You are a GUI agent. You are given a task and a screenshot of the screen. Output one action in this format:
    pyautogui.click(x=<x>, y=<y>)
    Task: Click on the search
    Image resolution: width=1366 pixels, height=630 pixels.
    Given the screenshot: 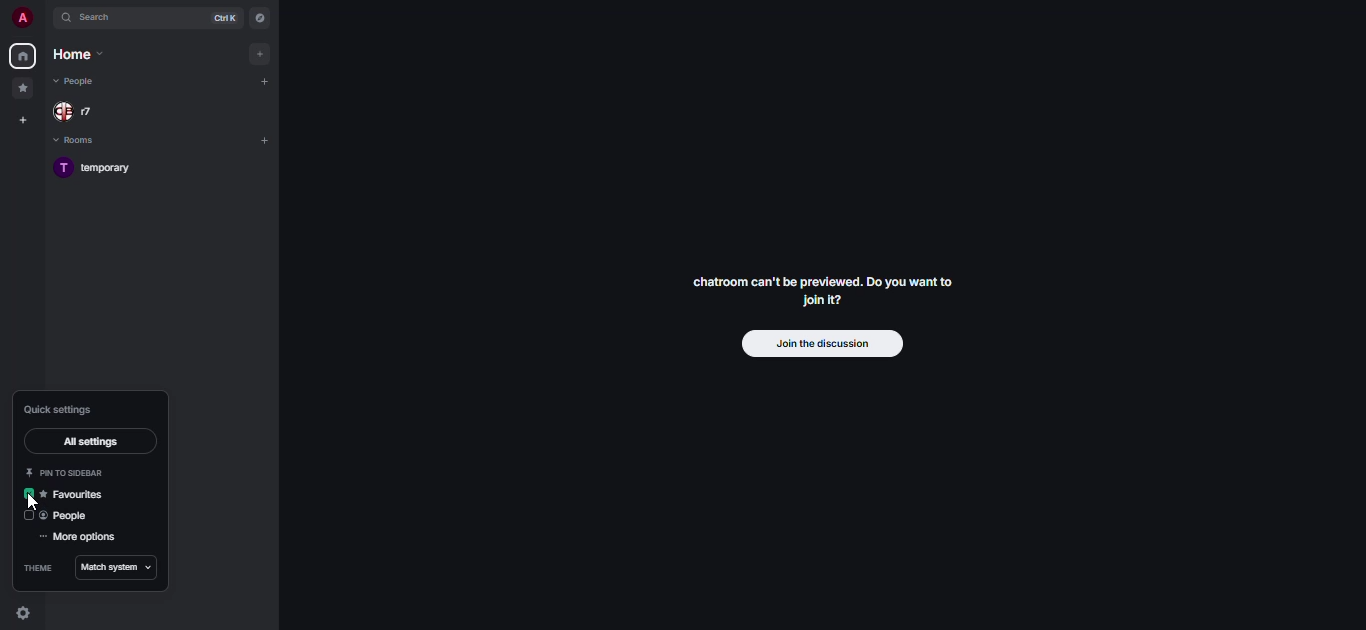 What is the action you would take?
    pyautogui.click(x=97, y=19)
    